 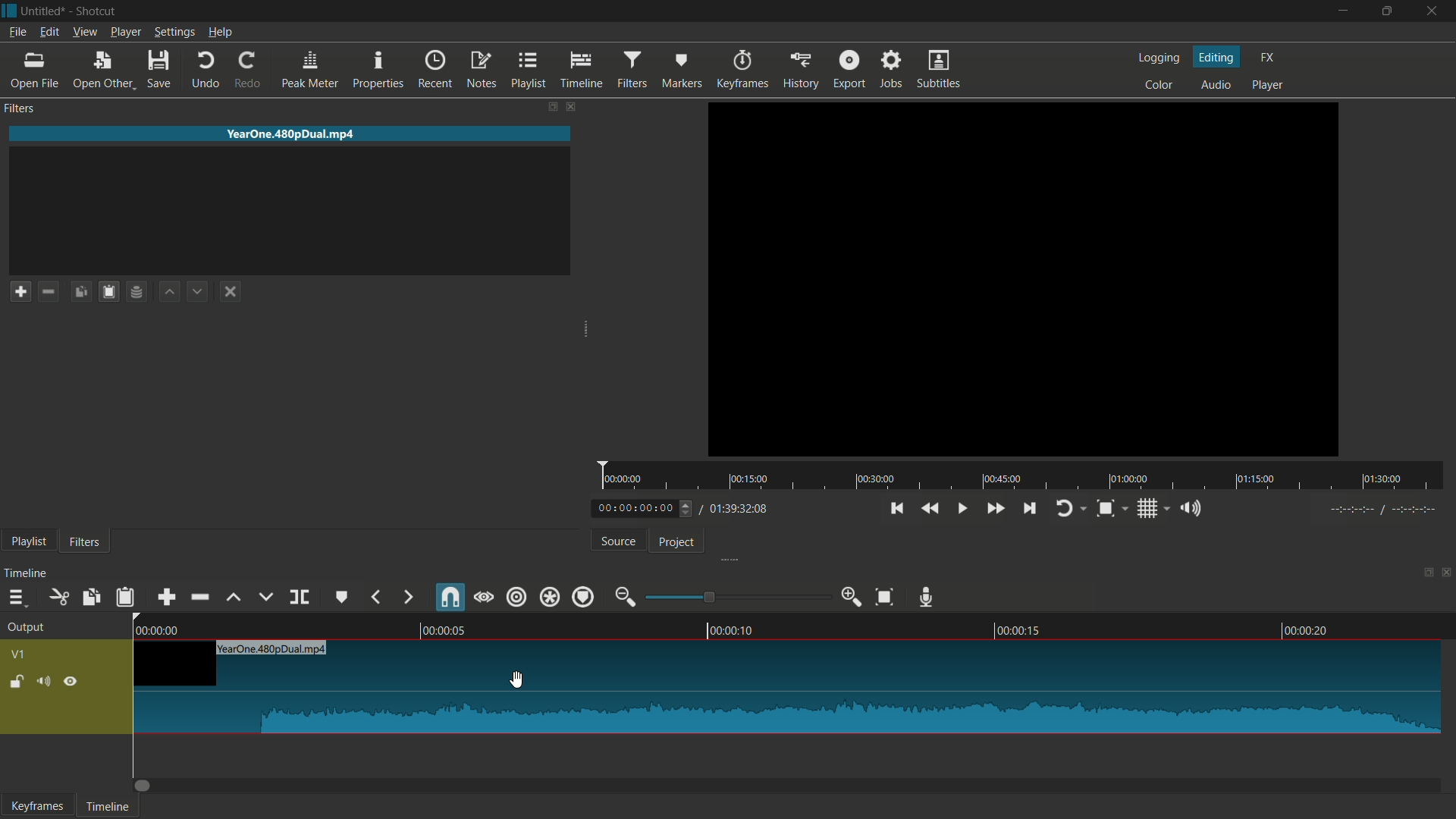 I want to click on color, so click(x=1160, y=83).